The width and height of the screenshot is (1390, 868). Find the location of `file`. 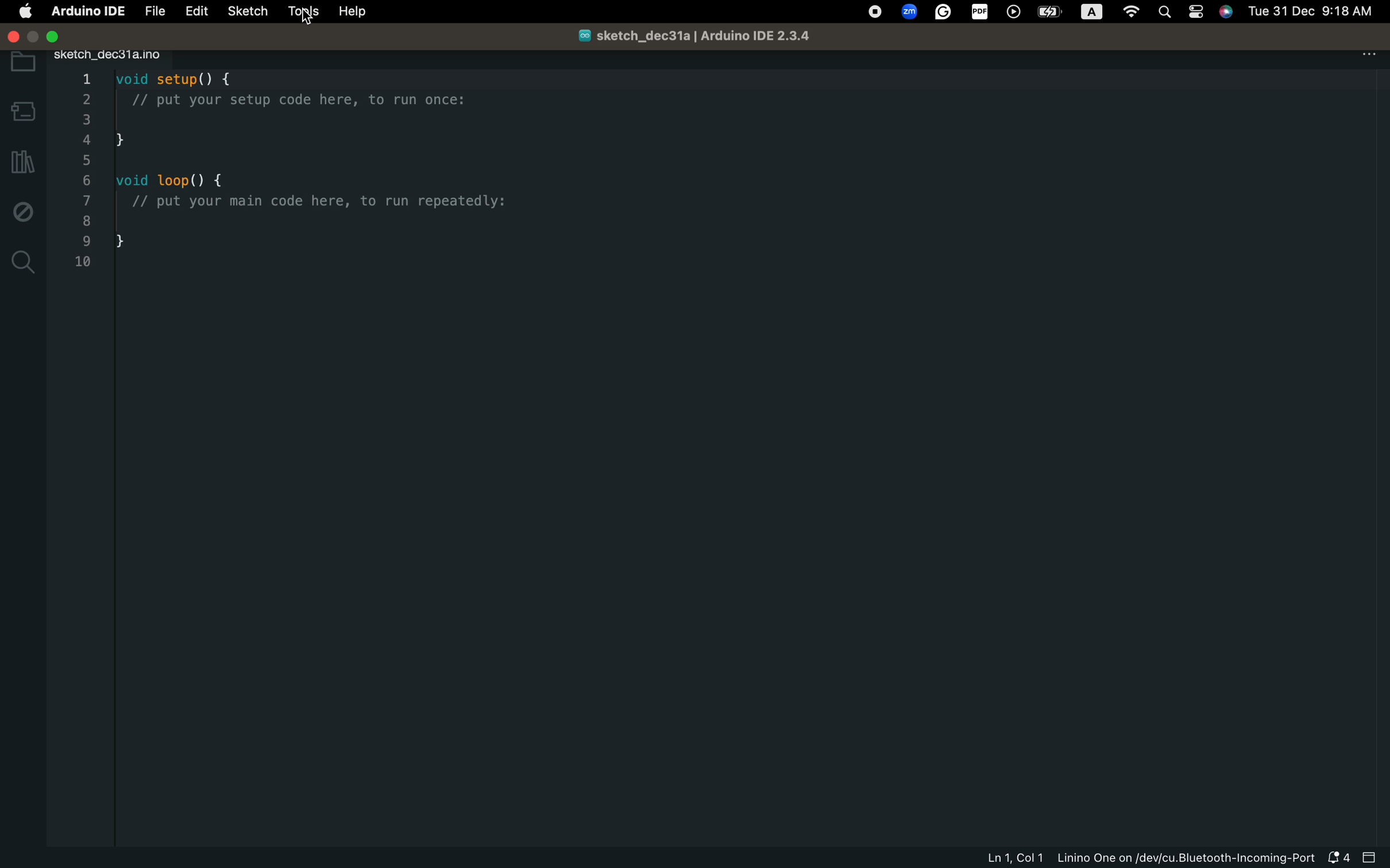

file is located at coordinates (154, 13).